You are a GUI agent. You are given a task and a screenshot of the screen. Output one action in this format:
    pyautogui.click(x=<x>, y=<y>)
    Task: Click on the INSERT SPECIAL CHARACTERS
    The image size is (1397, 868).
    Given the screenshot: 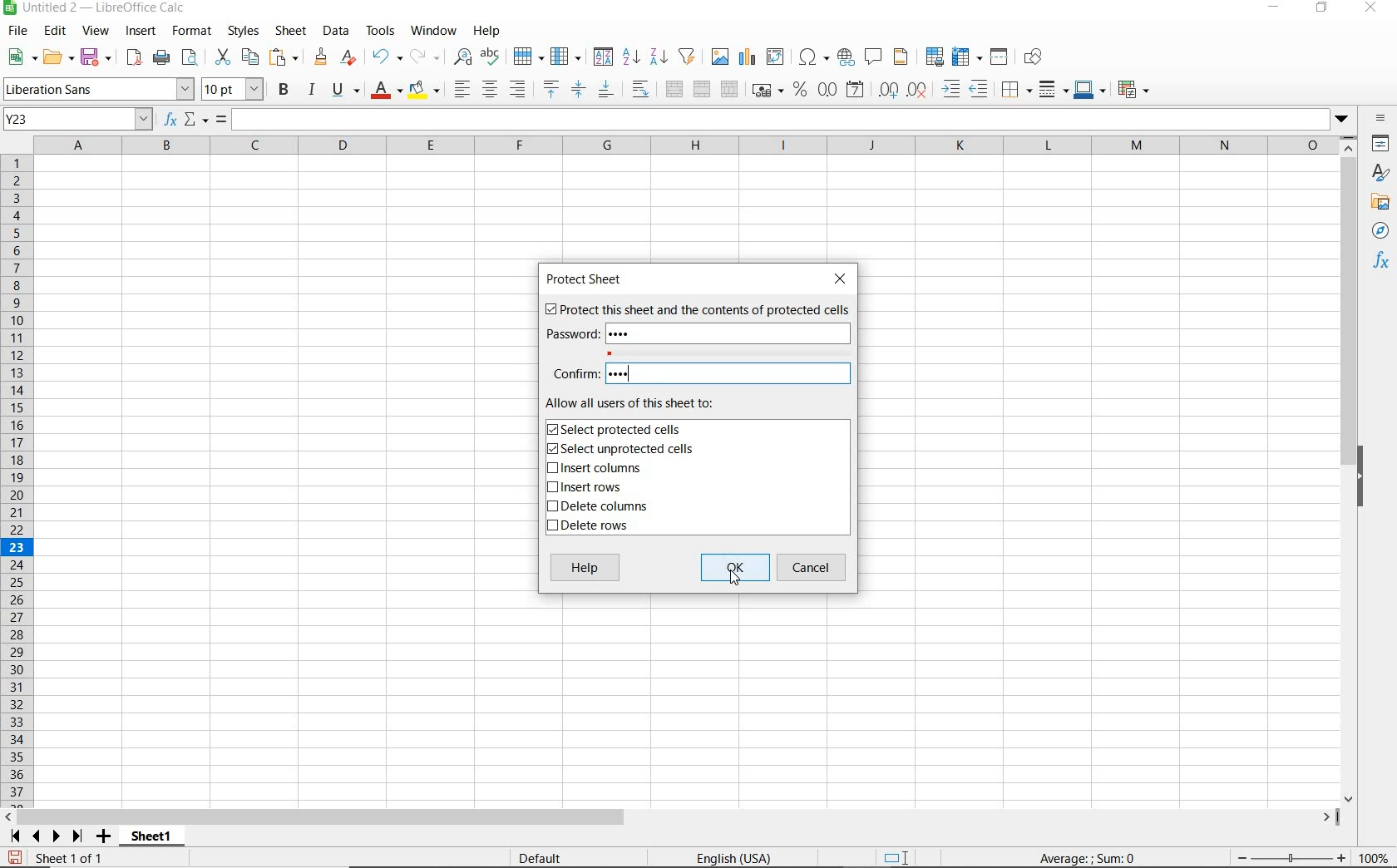 What is the action you would take?
    pyautogui.click(x=815, y=57)
    